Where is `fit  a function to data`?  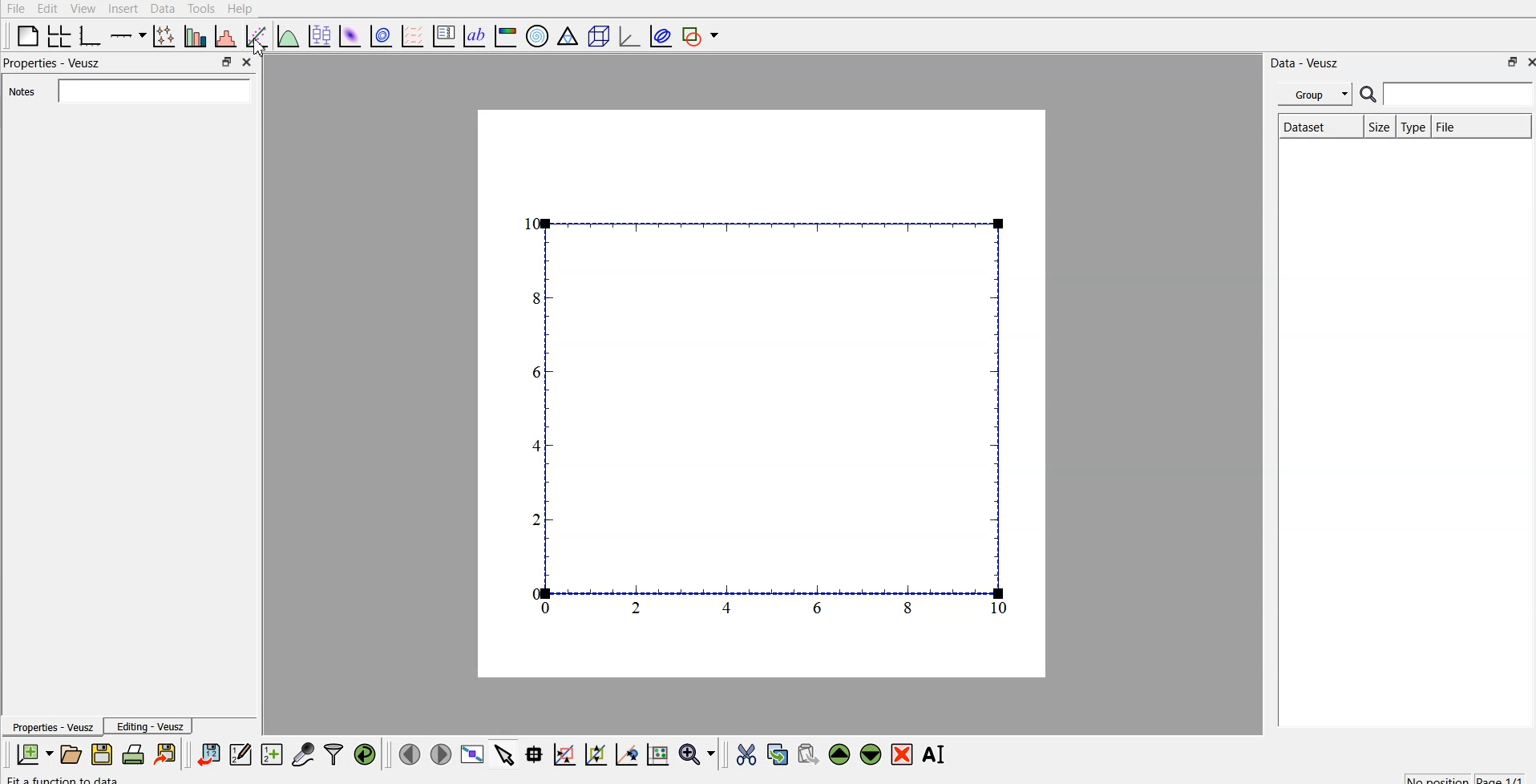 fit  a function to data is located at coordinates (256, 38).